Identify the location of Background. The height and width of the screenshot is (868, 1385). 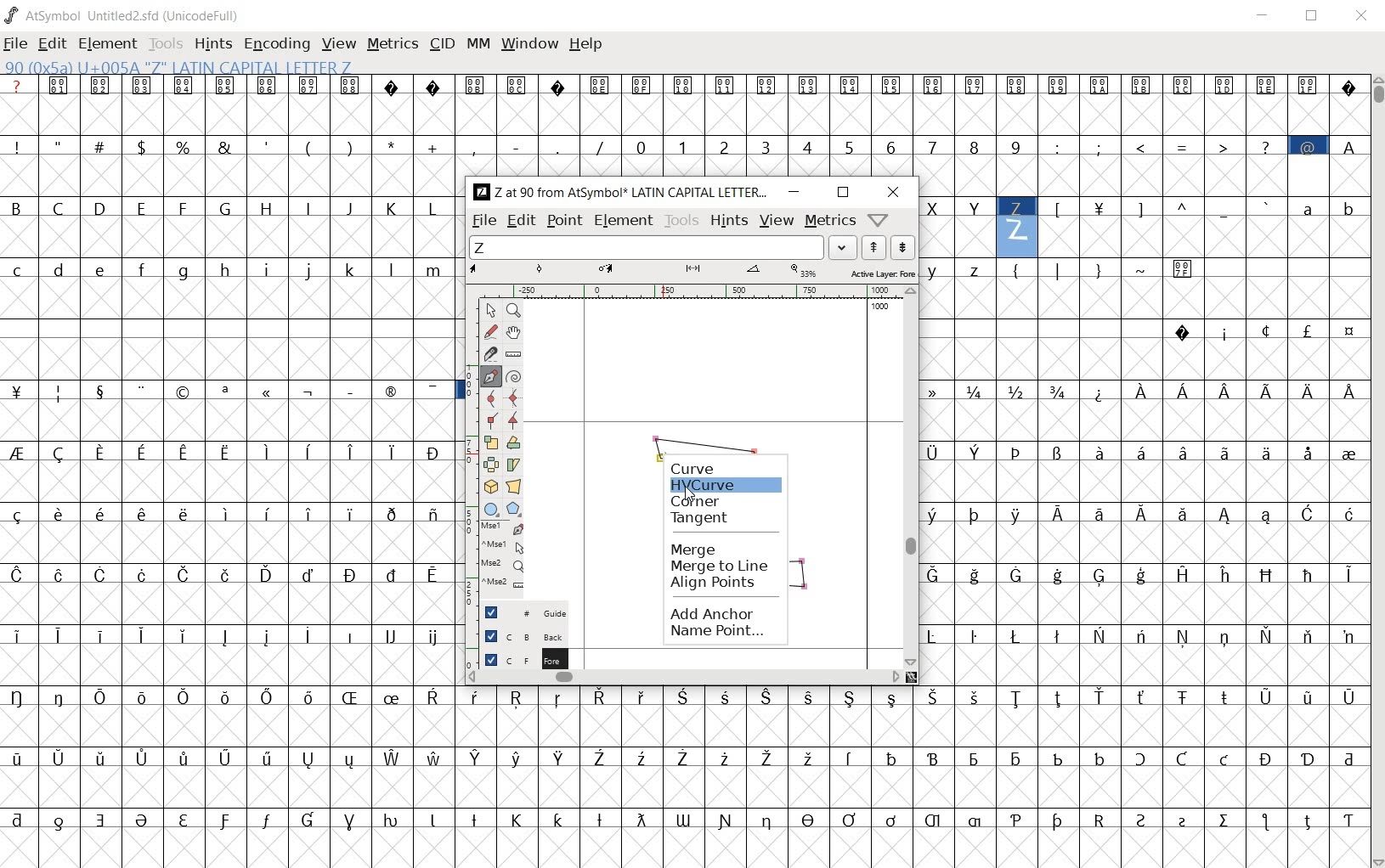
(517, 635).